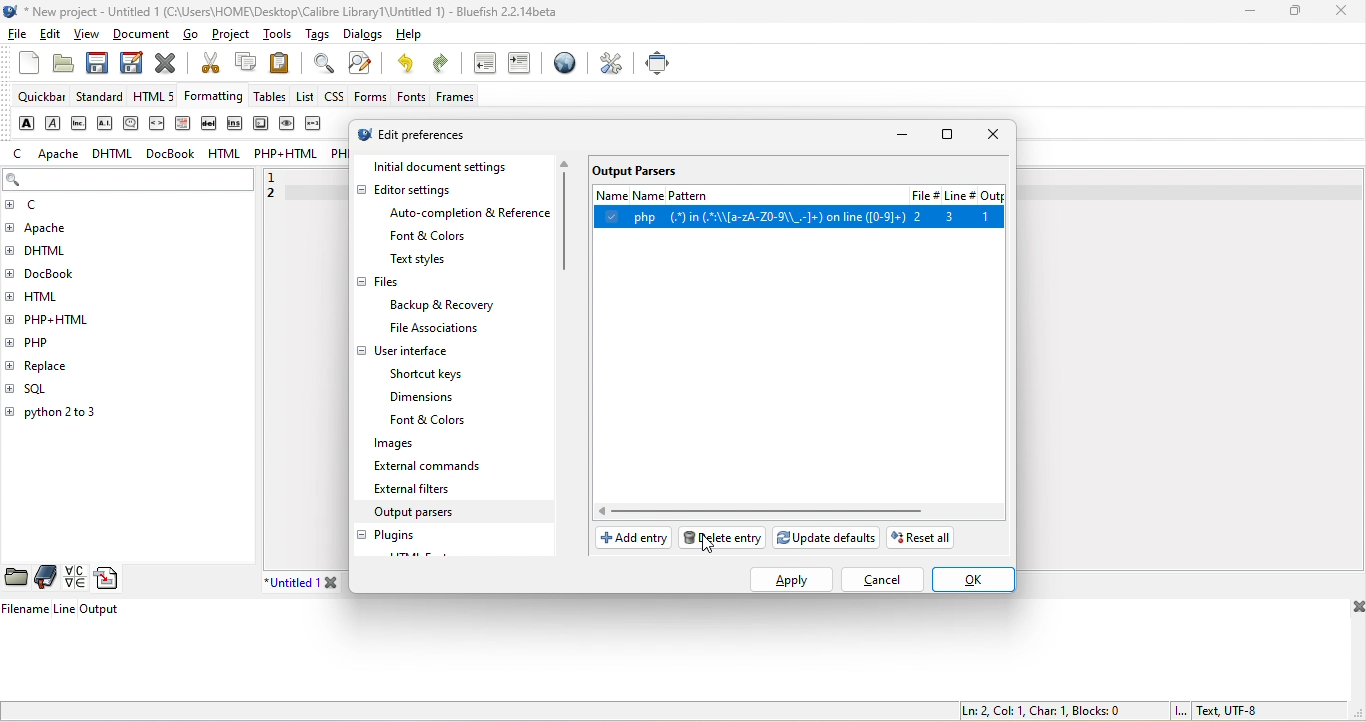 This screenshot has height=722, width=1366. Describe the element at coordinates (948, 137) in the screenshot. I see `maximize` at that location.